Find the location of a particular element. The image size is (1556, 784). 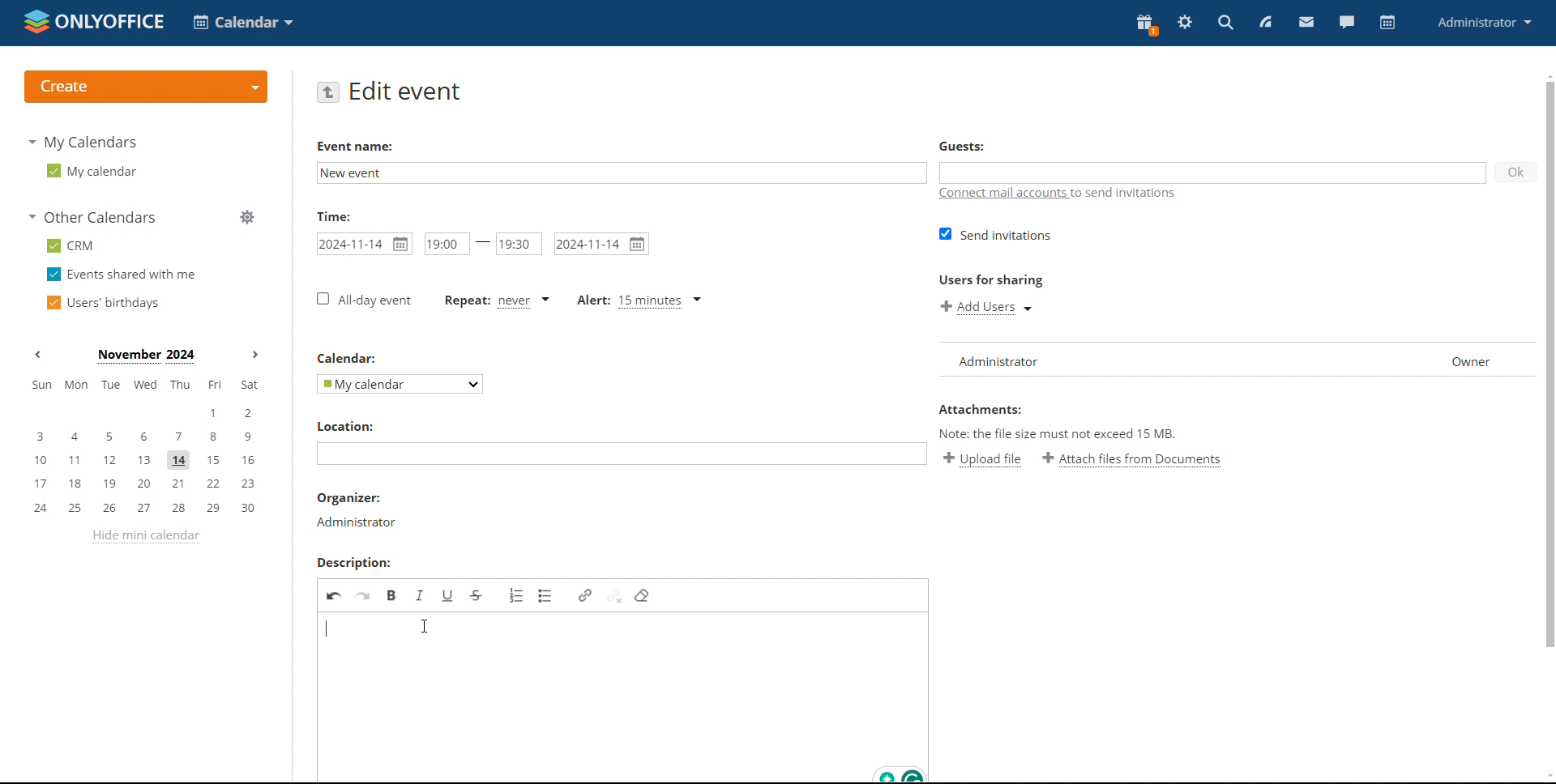

description is located at coordinates (355, 562).